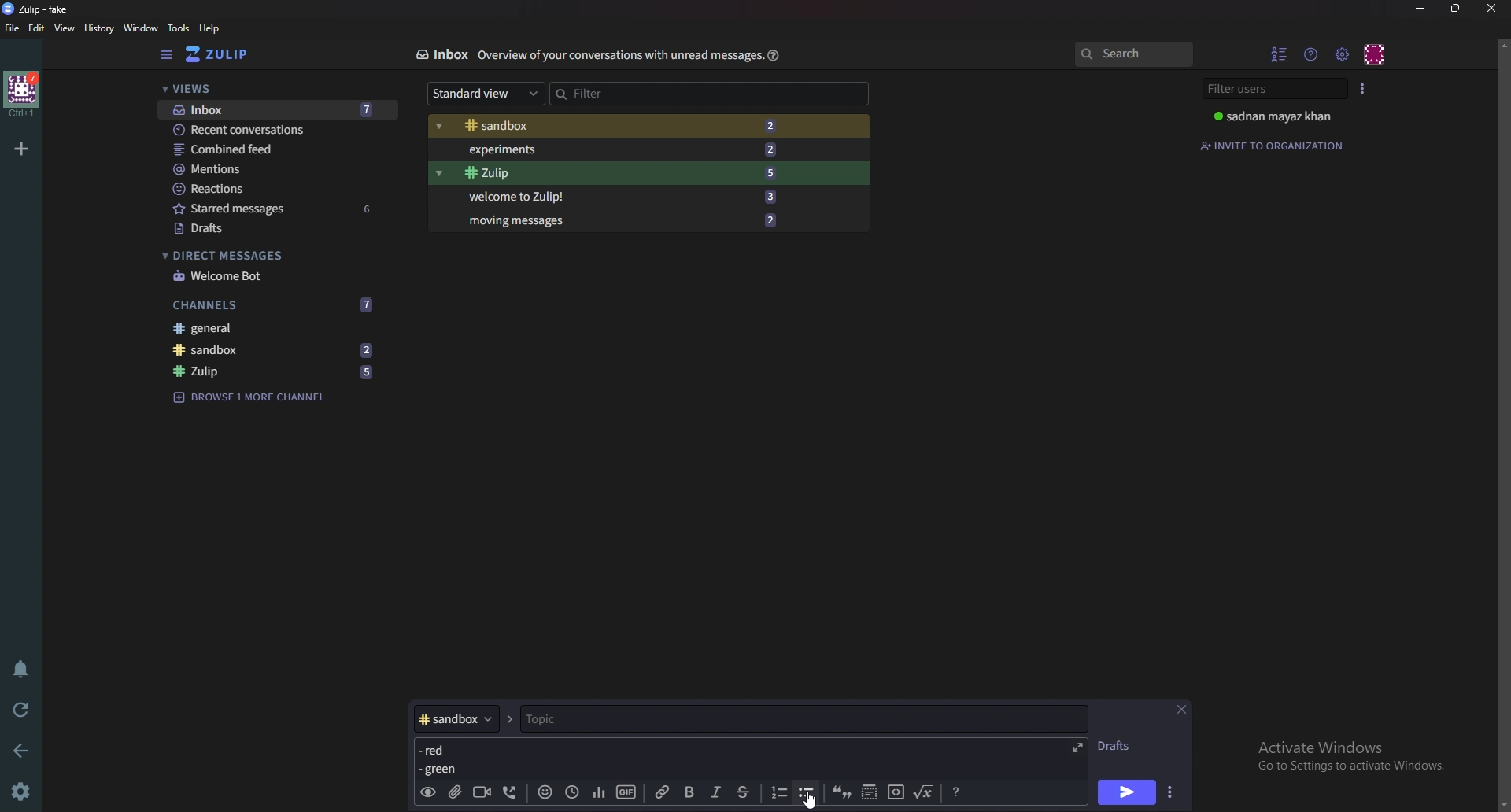 This screenshot has height=812, width=1511. Describe the element at coordinates (273, 276) in the screenshot. I see `welcome bot` at that location.